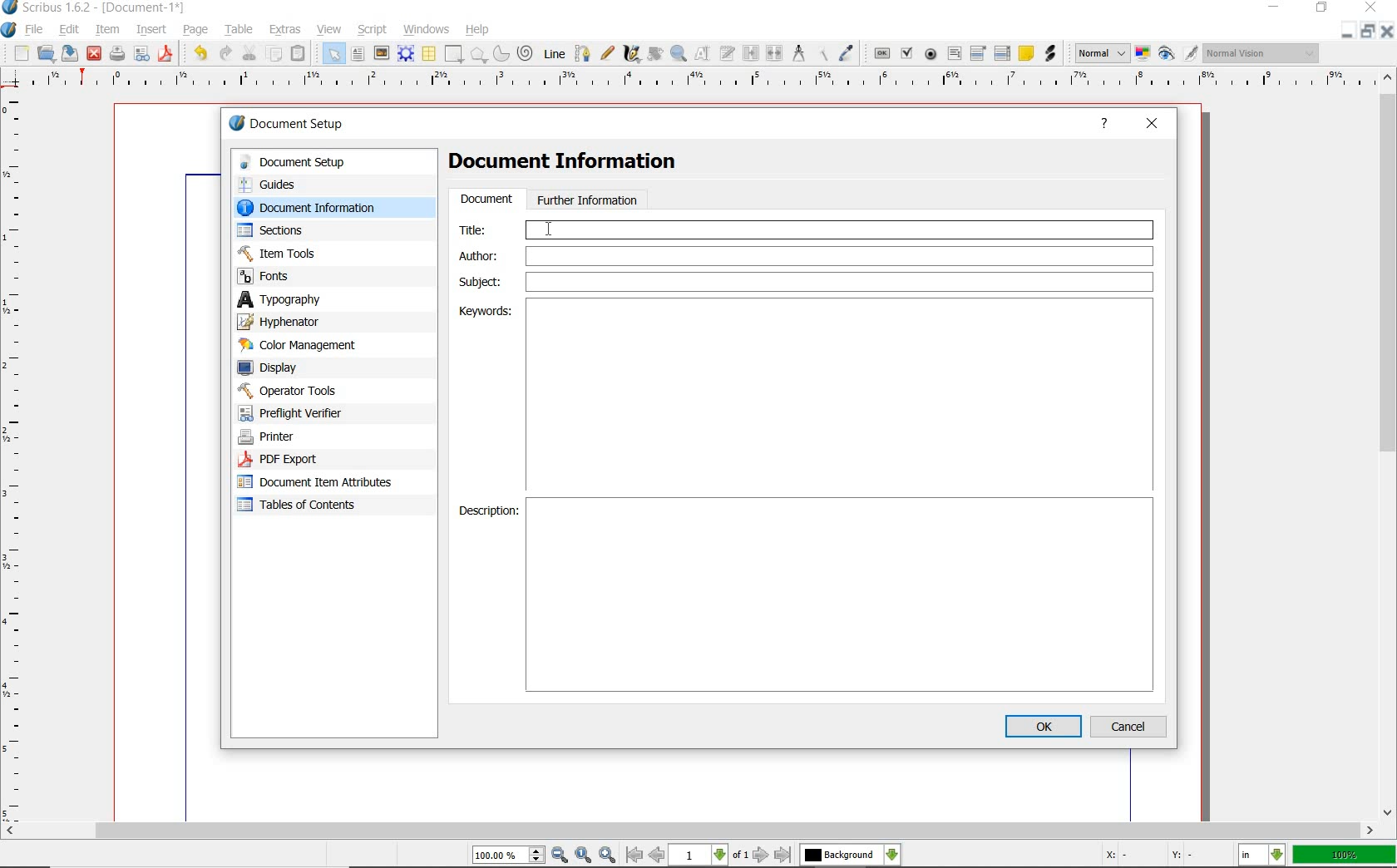 This screenshot has width=1397, height=868. What do you see at coordinates (108, 31) in the screenshot?
I see `item` at bounding box center [108, 31].